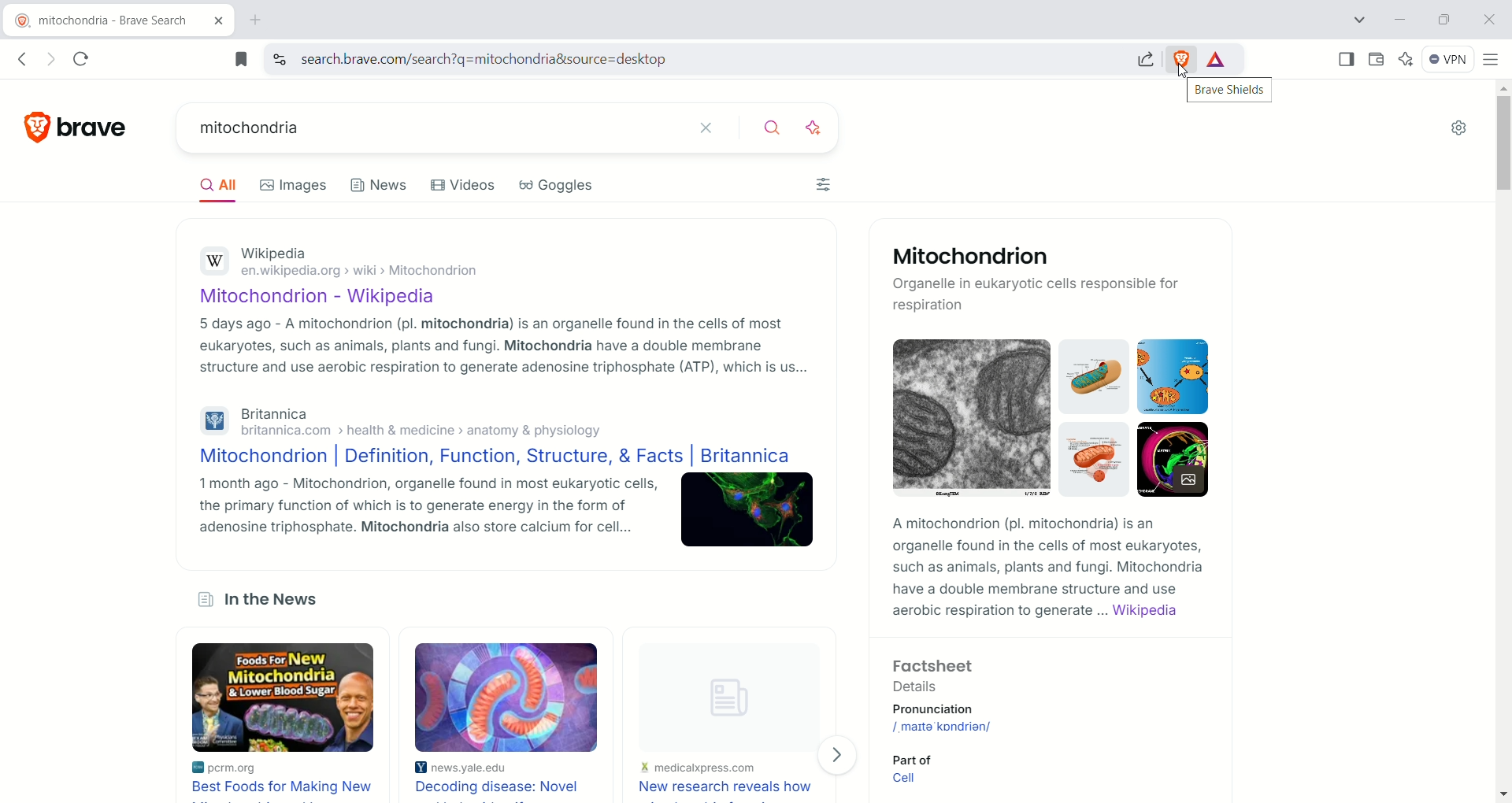  I want to click on Best Foods for Making New, so click(284, 788).